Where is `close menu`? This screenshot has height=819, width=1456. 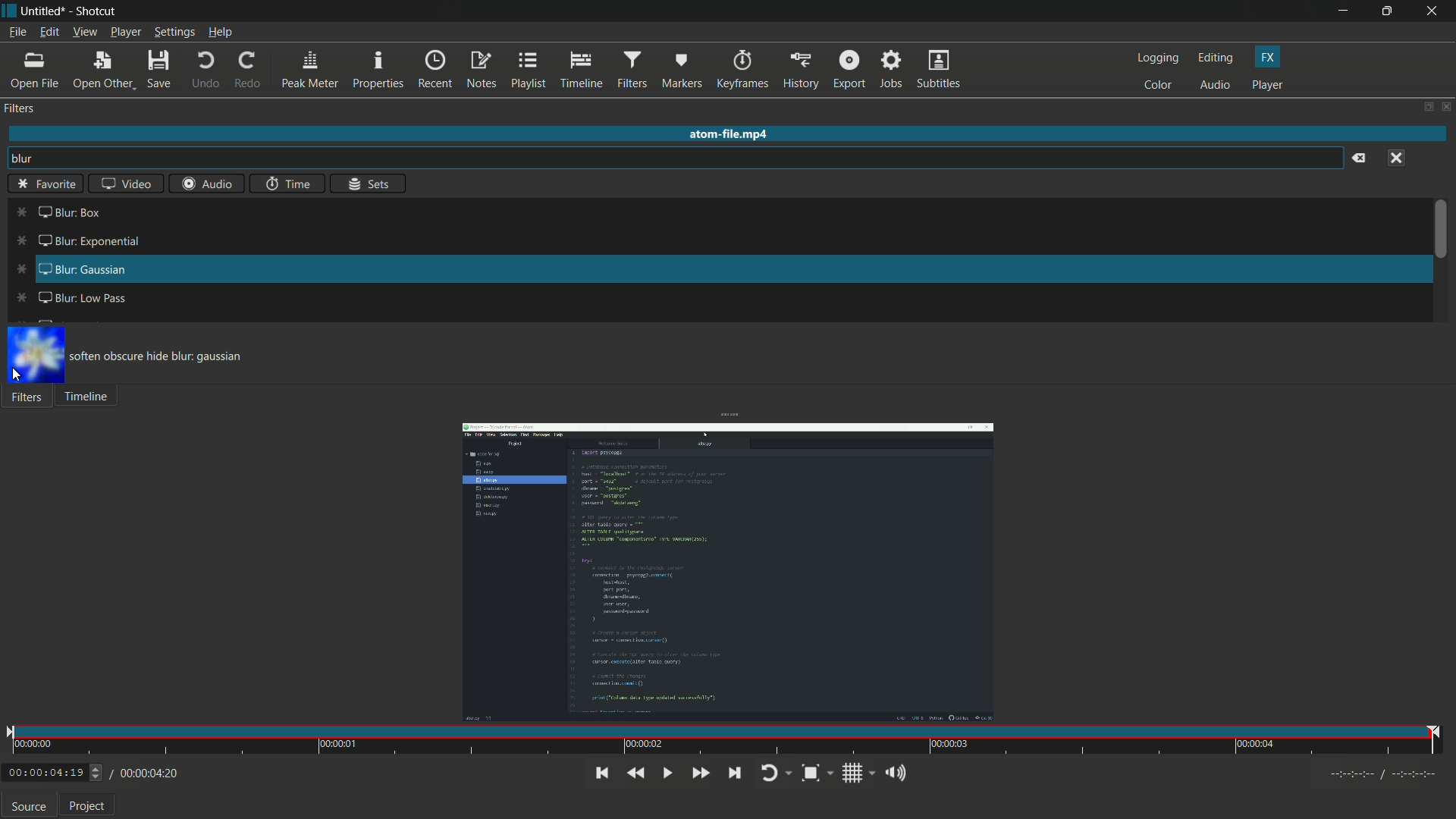
close menu is located at coordinates (1398, 158).